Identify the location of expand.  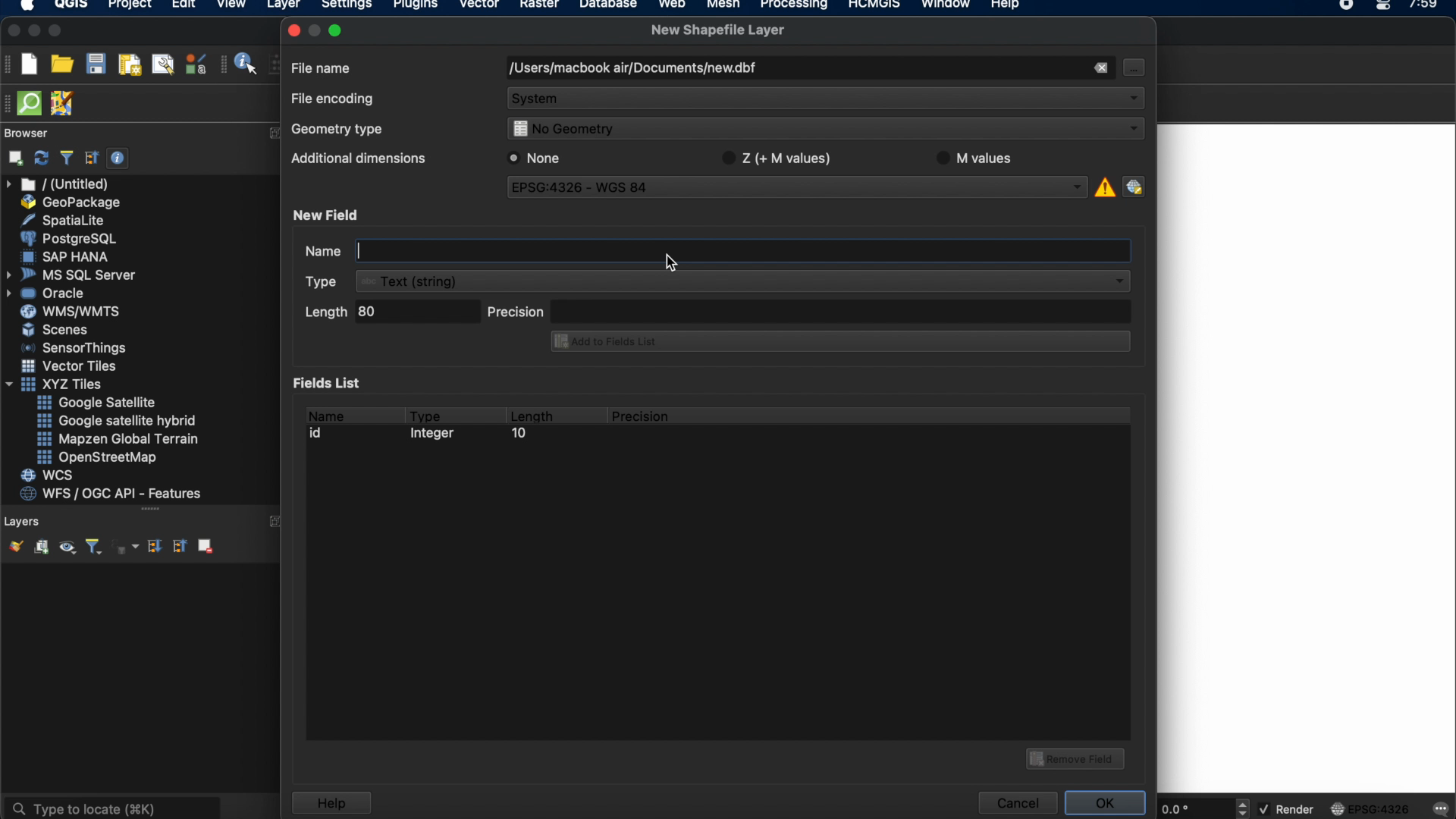
(276, 522).